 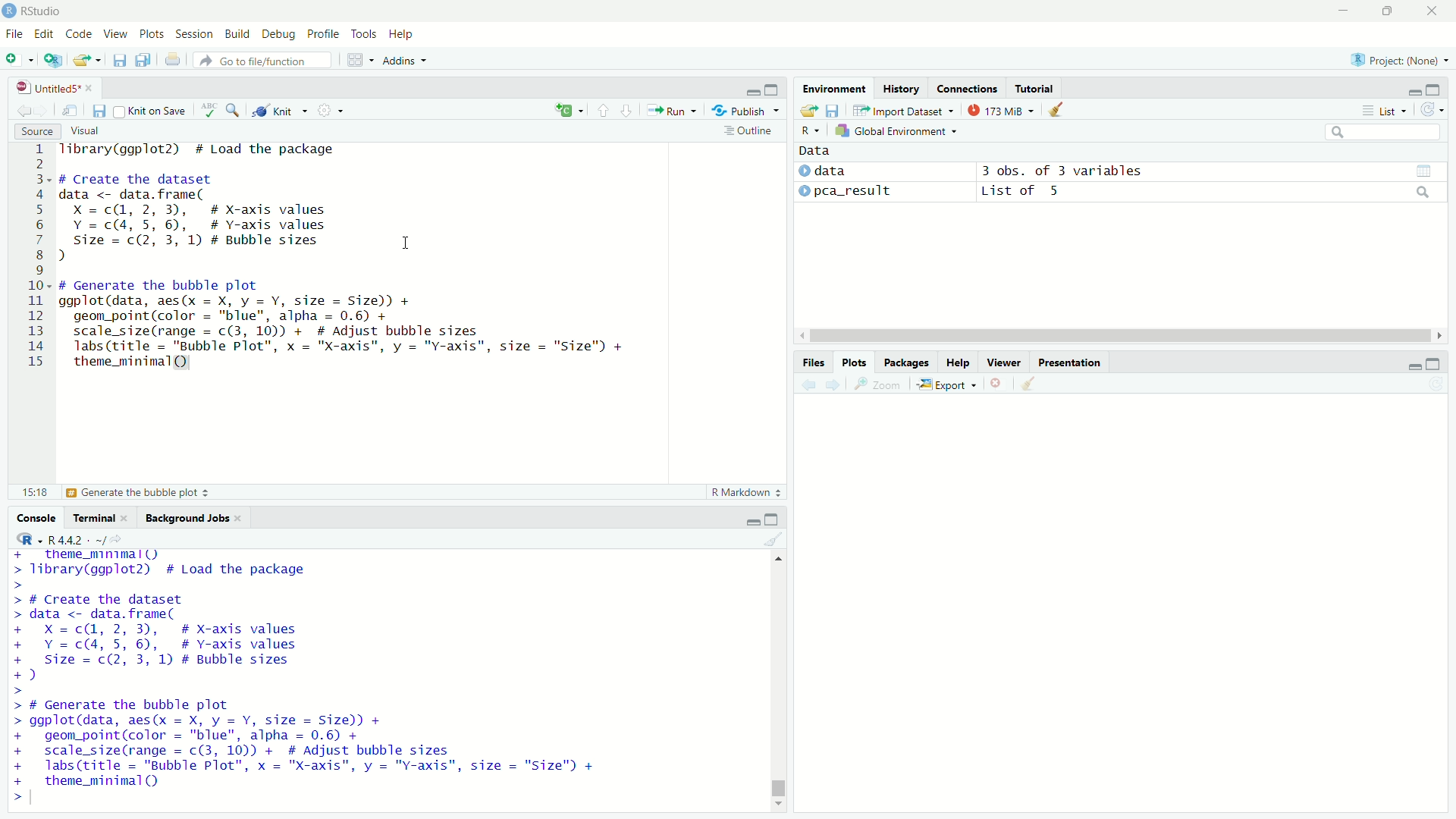 What do you see at coordinates (118, 35) in the screenshot?
I see `View` at bounding box center [118, 35].